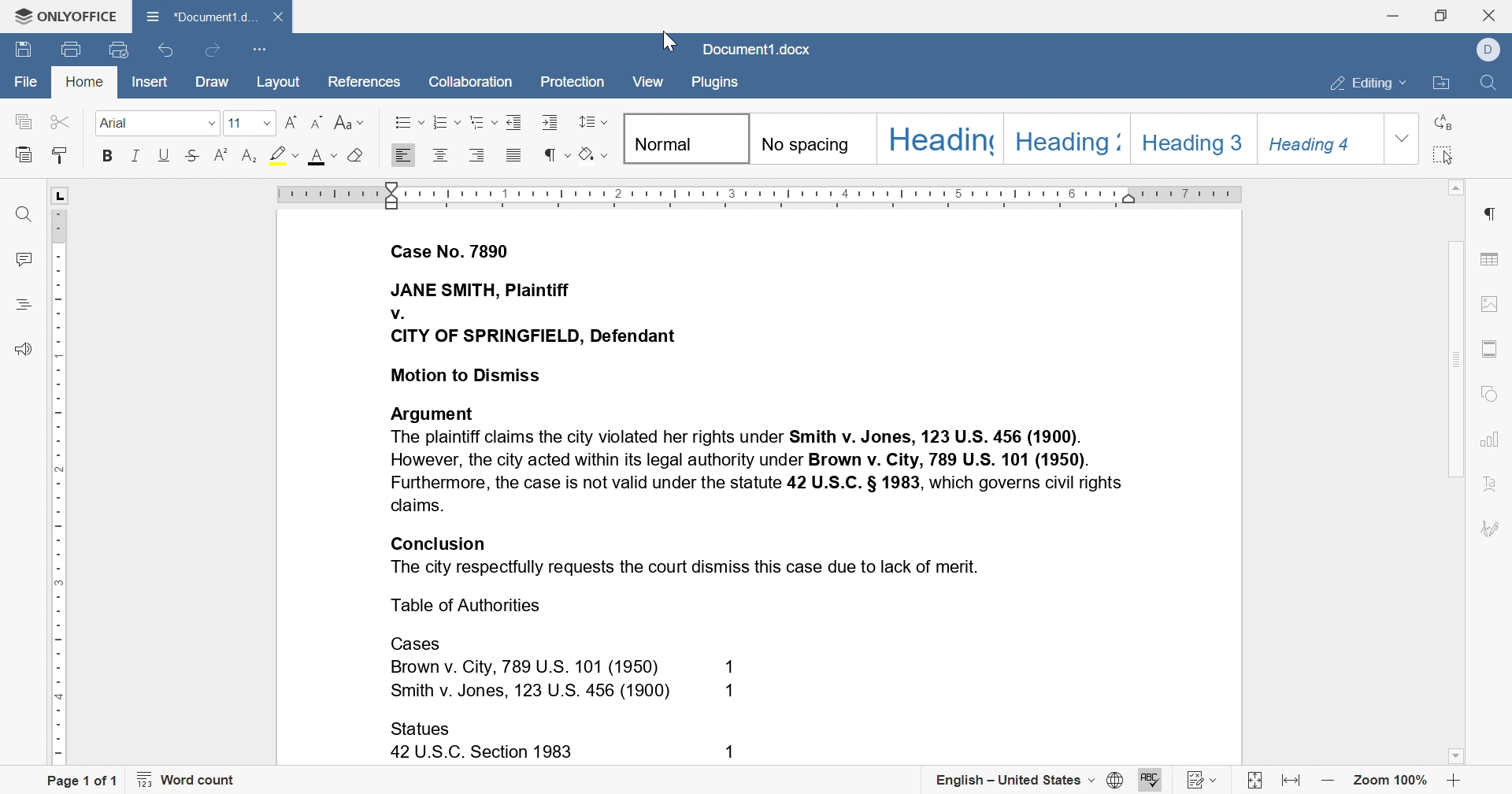 Image resolution: width=1512 pixels, height=794 pixels. Describe the element at coordinates (215, 82) in the screenshot. I see `draw` at that location.